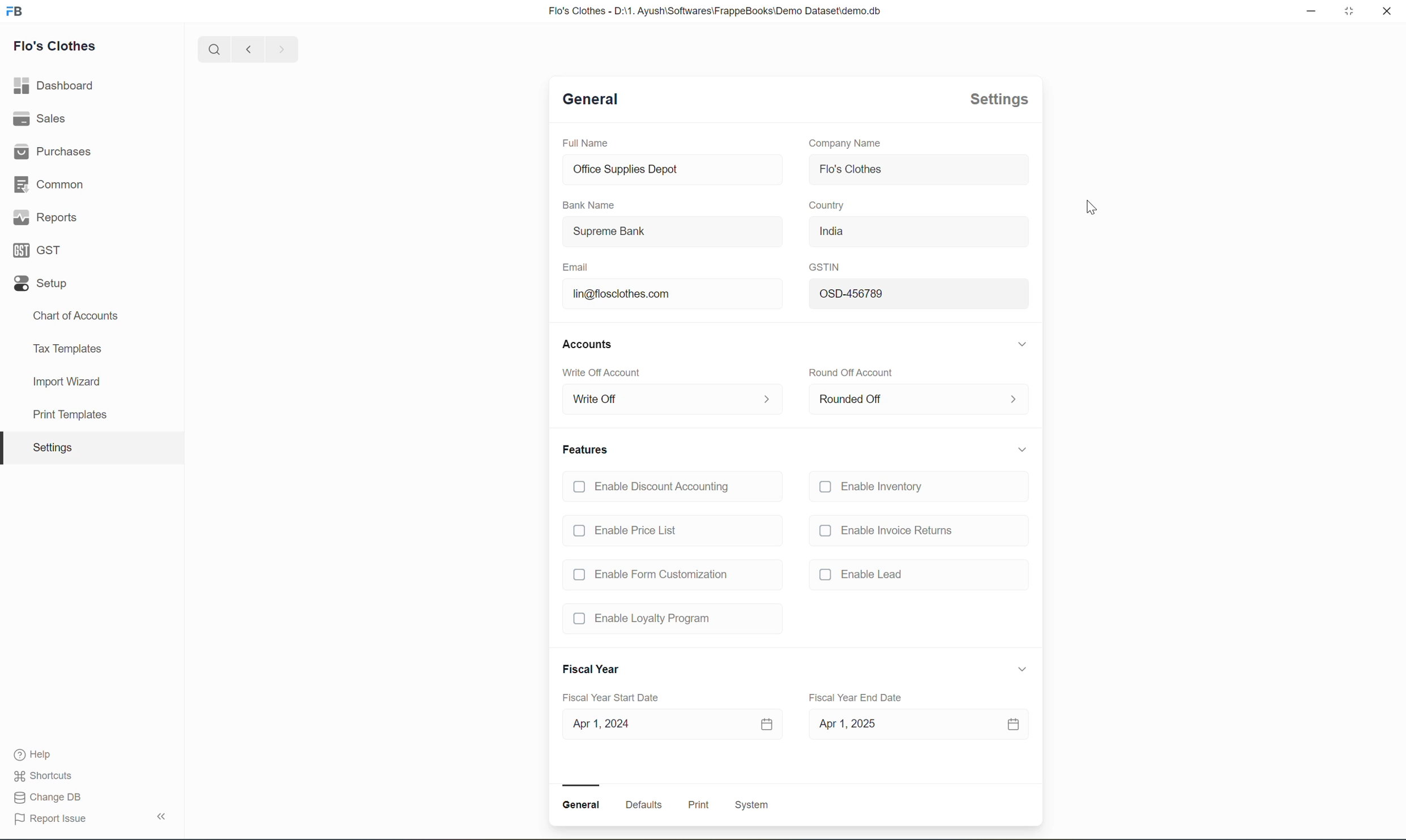 This screenshot has width=1406, height=840. What do you see at coordinates (163, 815) in the screenshot?
I see `Collapse` at bounding box center [163, 815].